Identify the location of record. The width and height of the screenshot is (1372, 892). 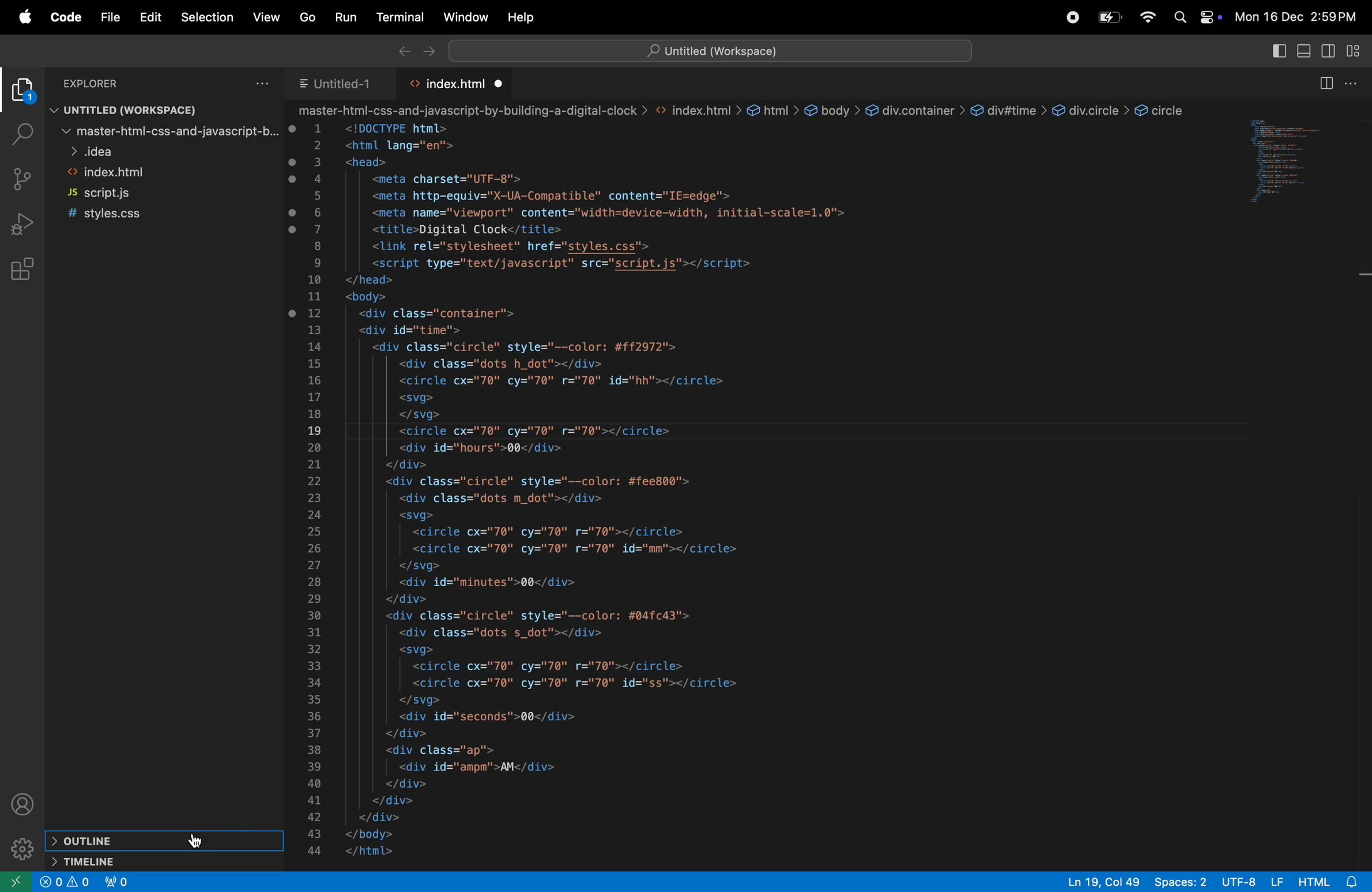
(1069, 17).